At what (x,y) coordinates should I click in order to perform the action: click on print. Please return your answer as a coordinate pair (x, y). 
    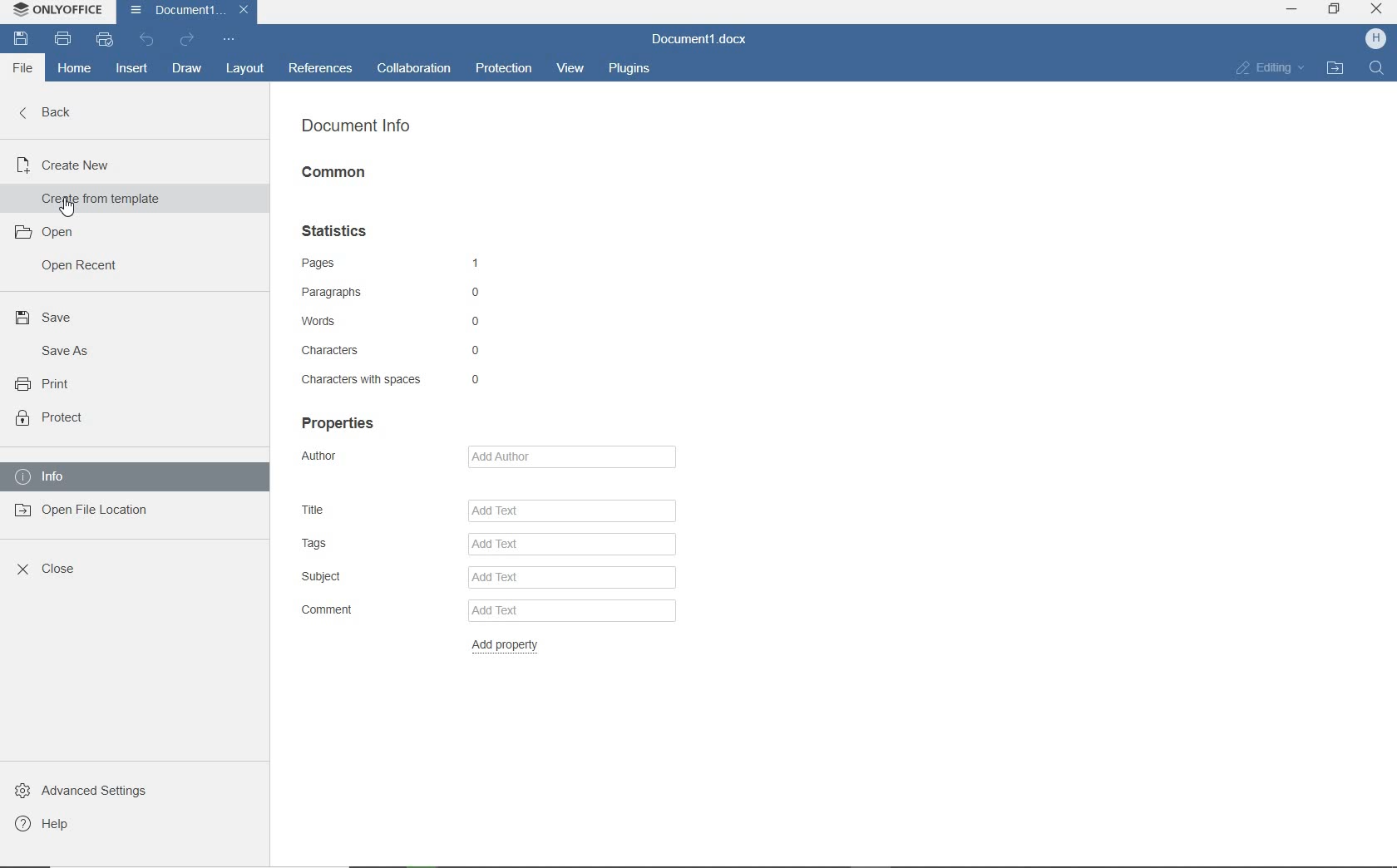
    Looking at the image, I should click on (64, 39).